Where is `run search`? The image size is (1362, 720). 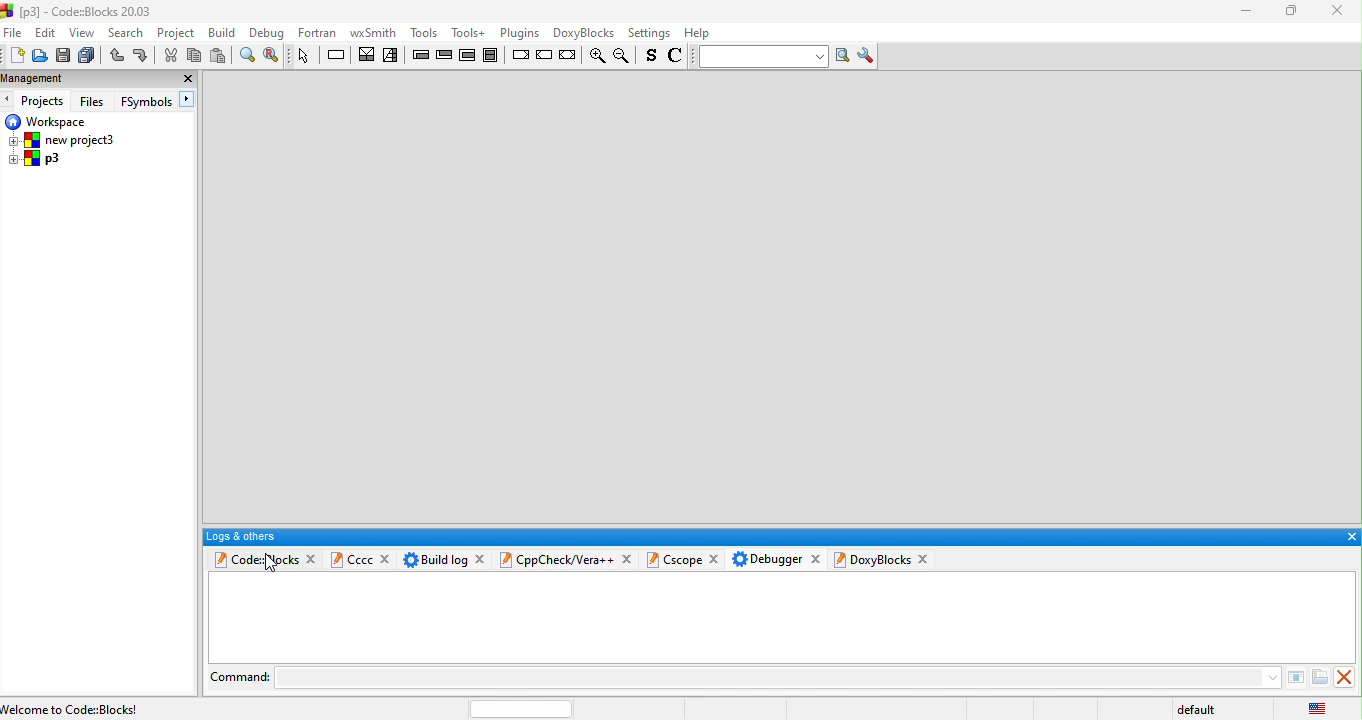
run search is located at coordinates (844, 56).